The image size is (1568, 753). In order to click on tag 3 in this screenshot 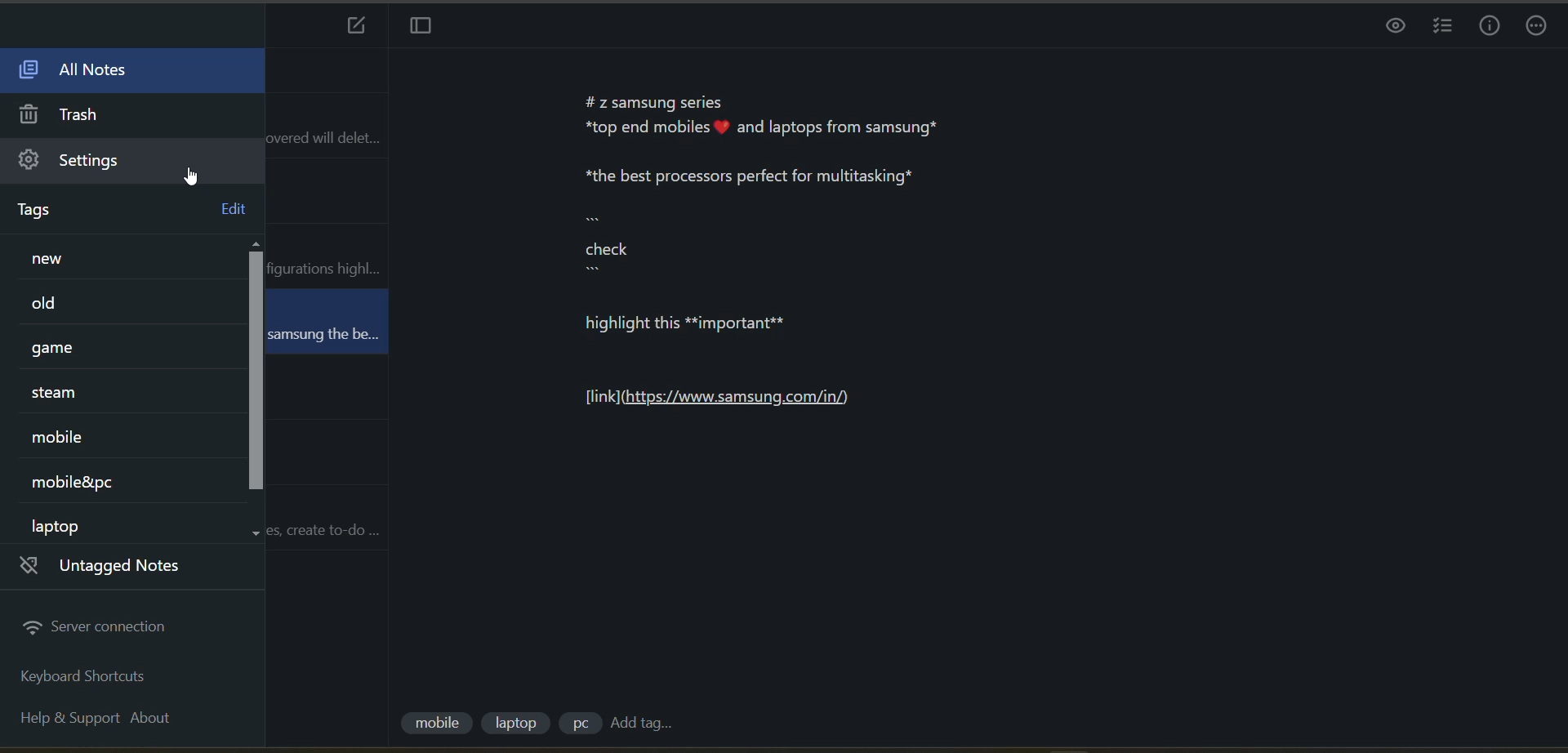, I will do `click(82, 350)`.